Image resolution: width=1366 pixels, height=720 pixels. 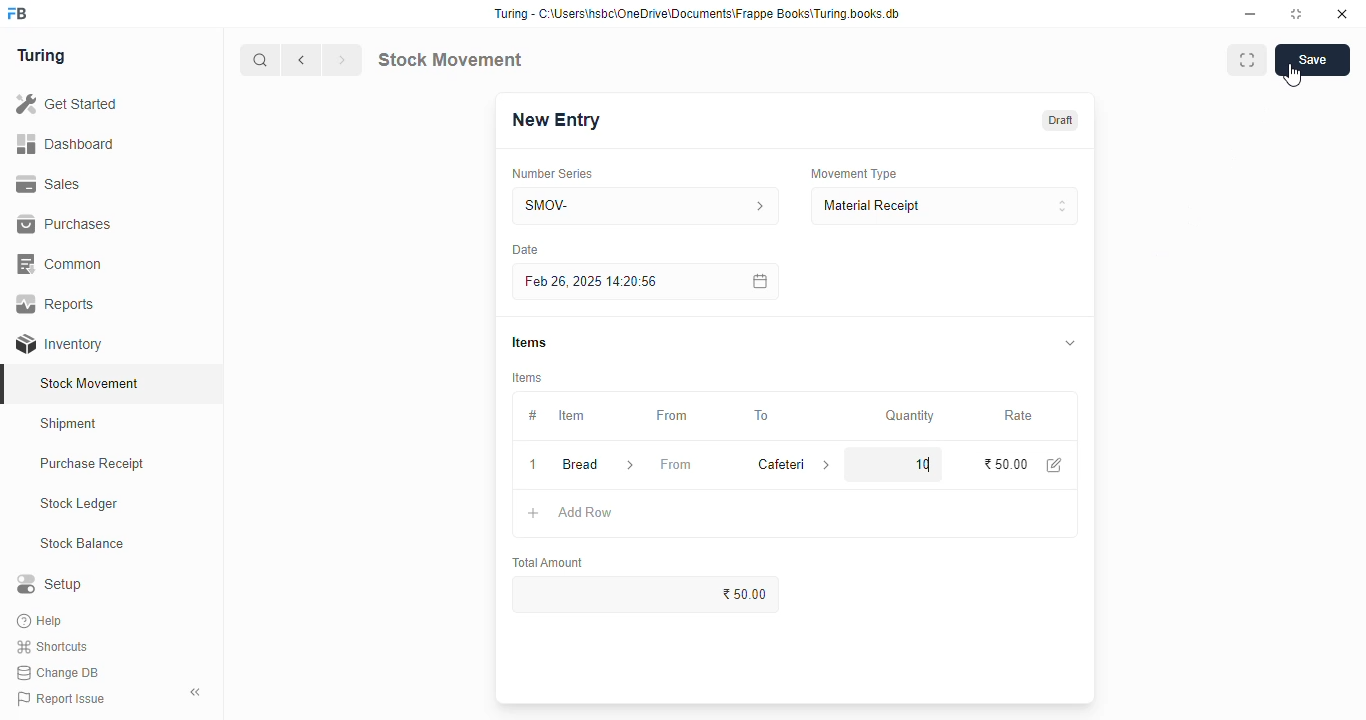 I want to click on bread, so click(x=579, y=464).